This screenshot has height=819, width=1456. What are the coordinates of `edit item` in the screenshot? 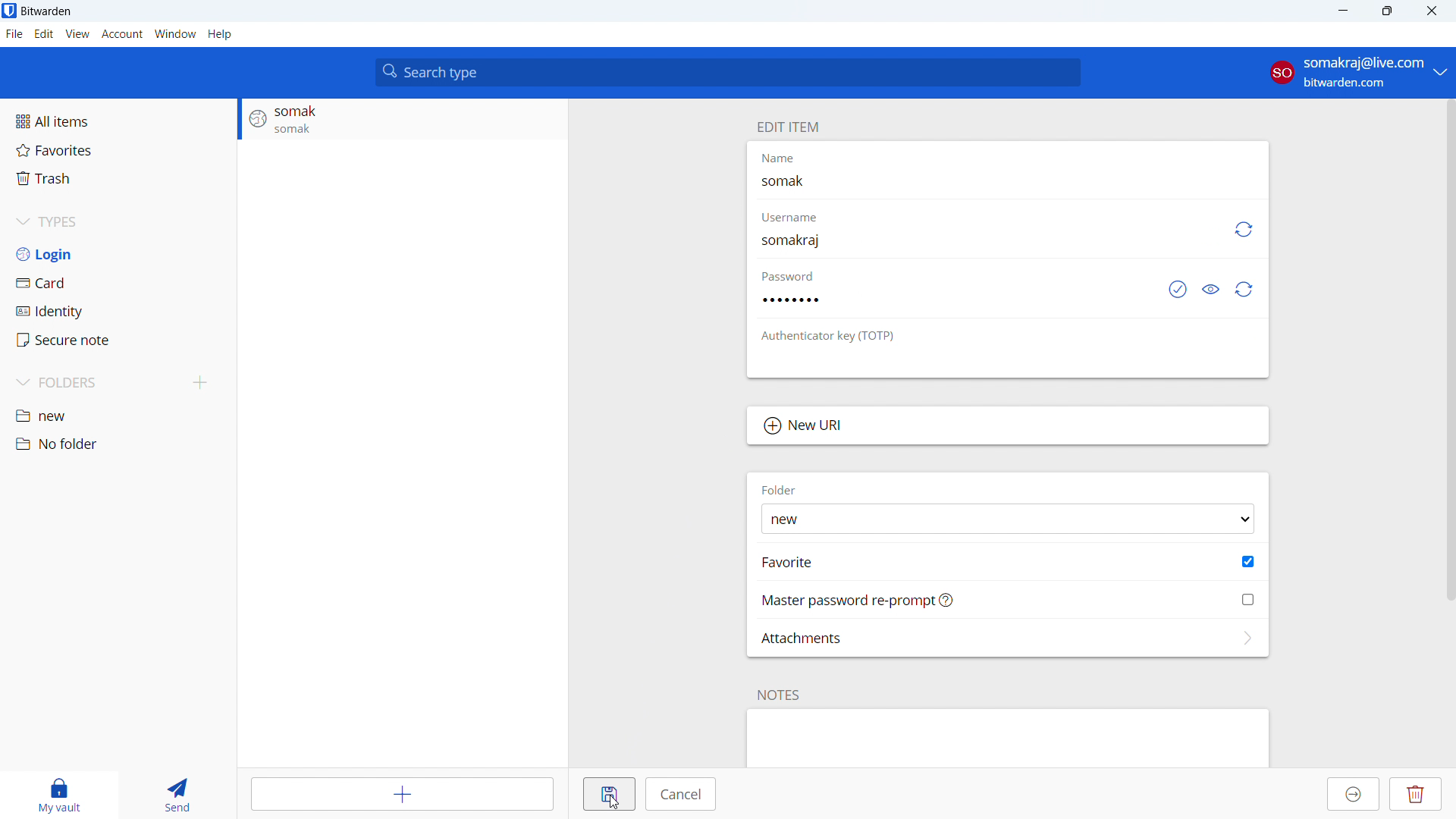 It's located at (788, 127).